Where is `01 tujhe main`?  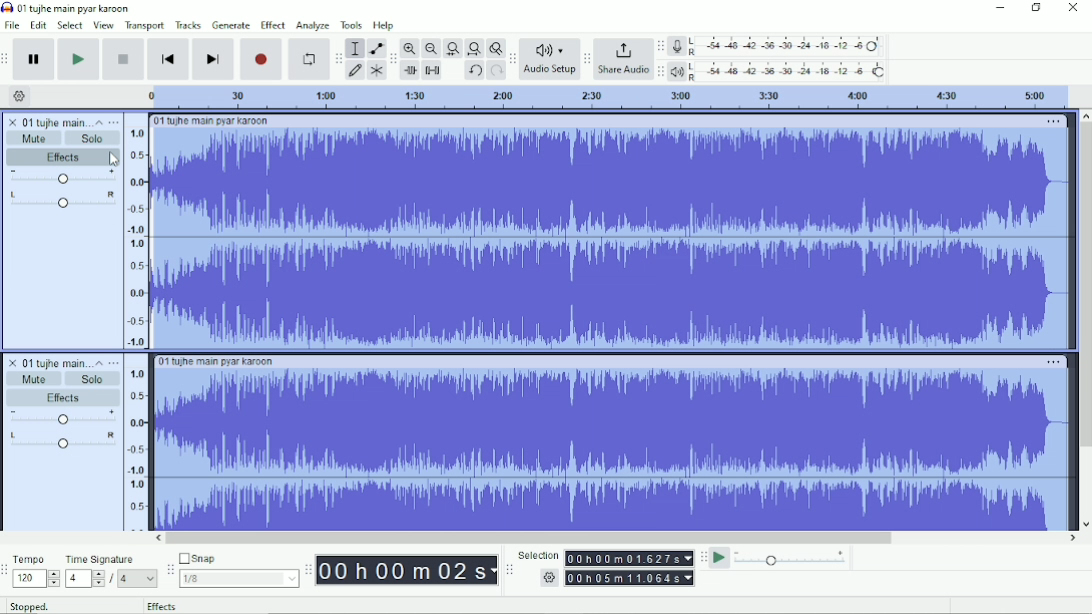
01 tujhe main is located at coordinates (55, 361).